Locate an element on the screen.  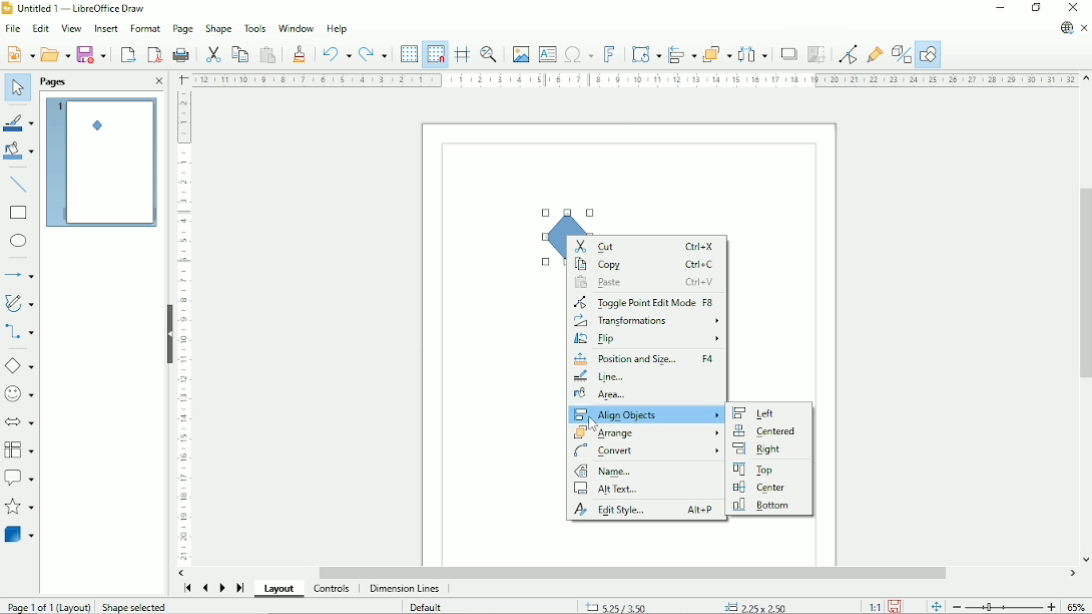
Arrange is located at coordinates (717, 53).